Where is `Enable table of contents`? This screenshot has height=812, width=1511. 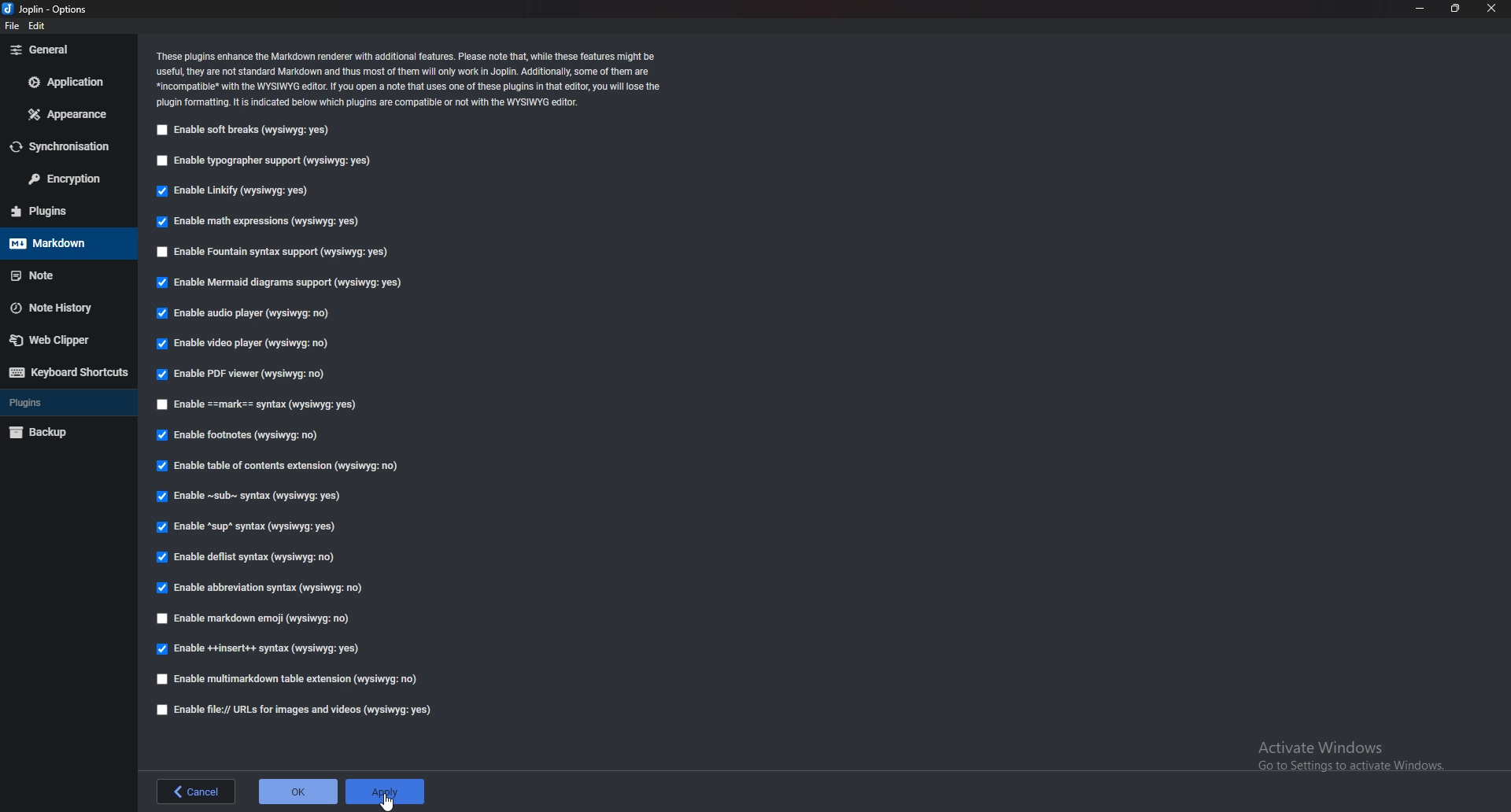 Enable table of contents is located at coordinates (282, 465).